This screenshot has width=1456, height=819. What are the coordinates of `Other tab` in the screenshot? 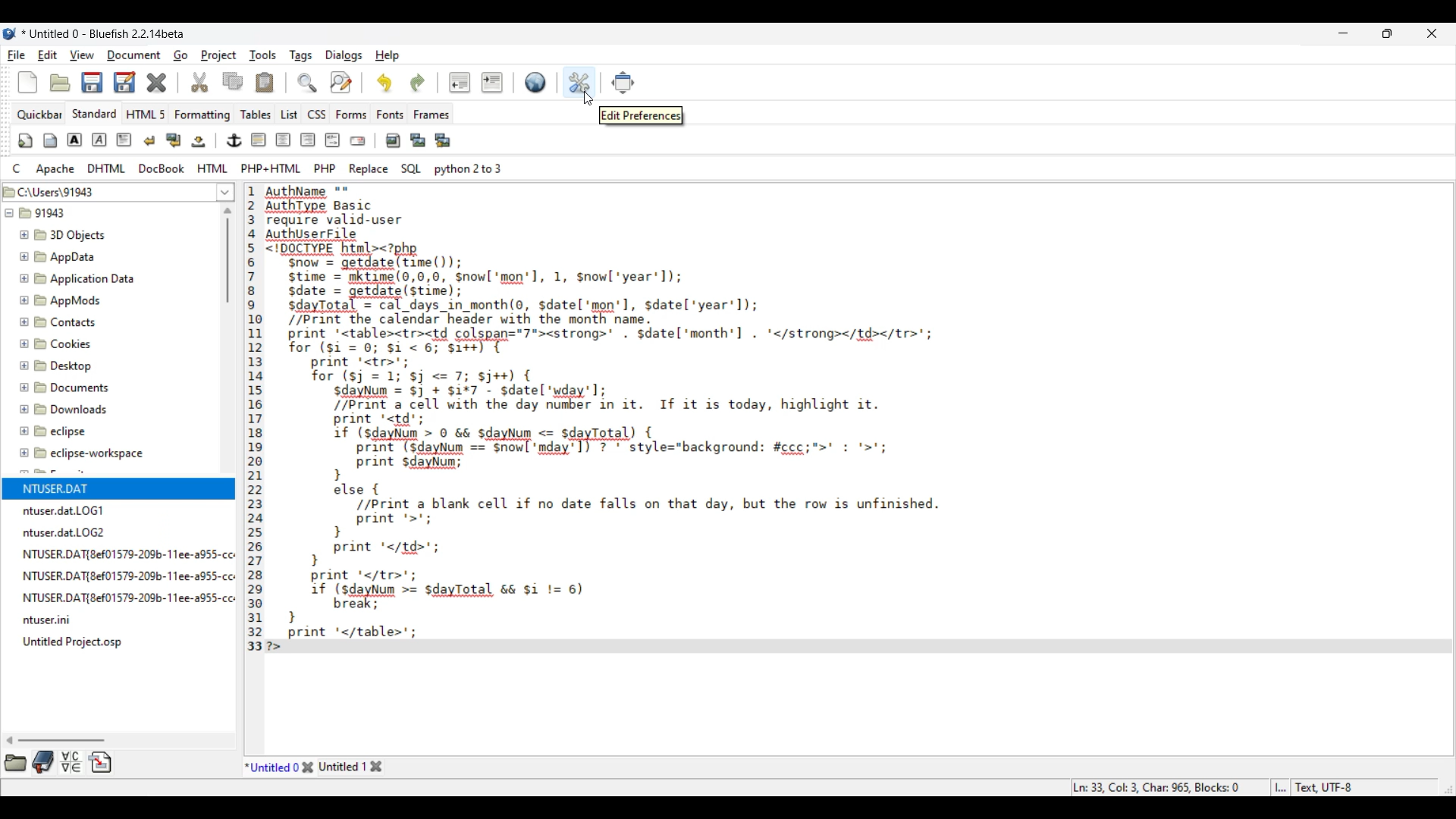 It's located at (351, 767).